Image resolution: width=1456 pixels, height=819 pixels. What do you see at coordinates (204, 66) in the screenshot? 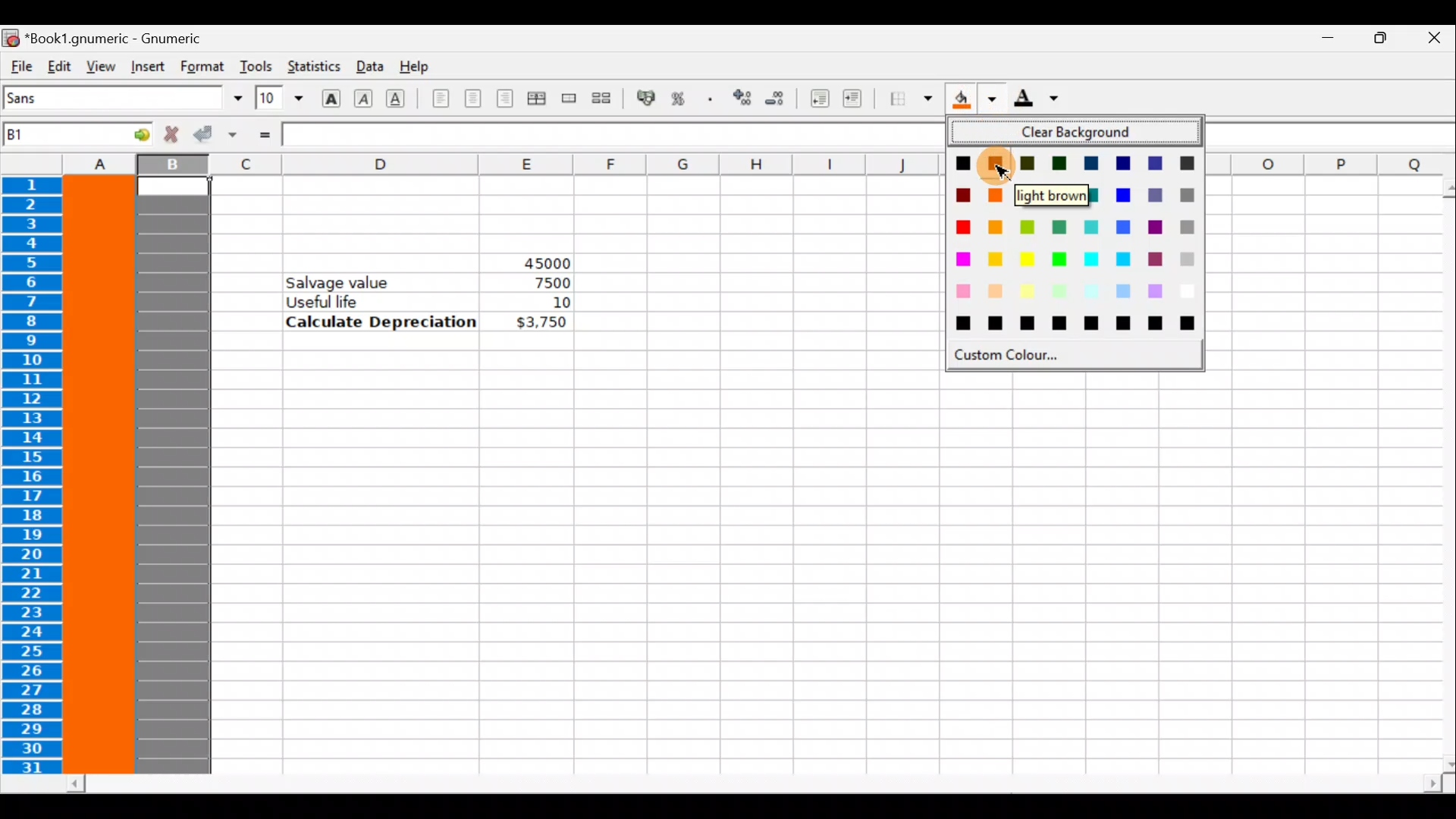
I see `Format` at bounding box center [204, 66].